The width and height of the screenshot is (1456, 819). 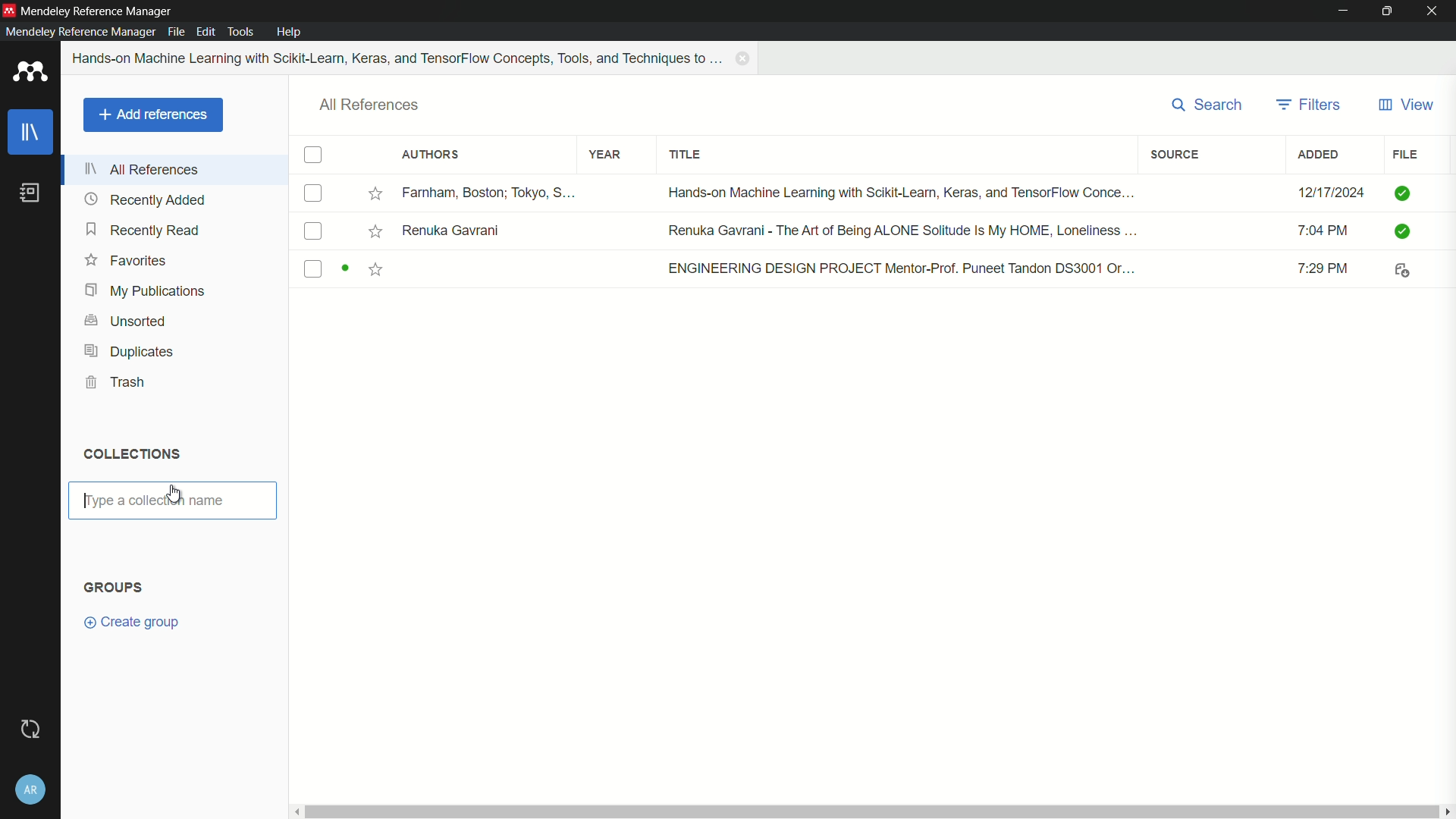 What do you see at coordinates (429, 155) in the screenshot?
I see `authors` at bounding box center [429, 155].